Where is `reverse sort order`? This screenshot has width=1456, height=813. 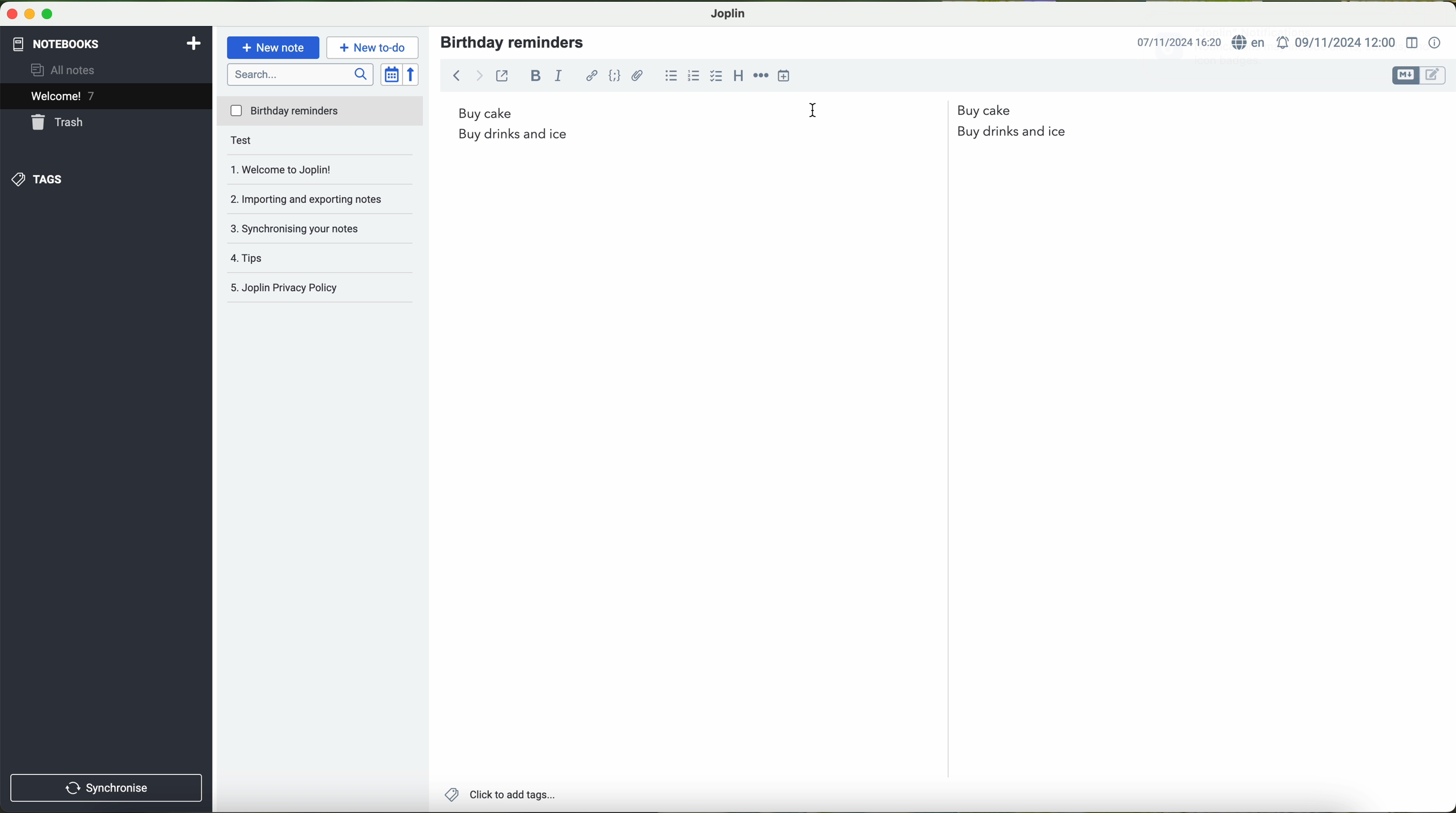 reverse sort order is located at coordinates (412, 73).